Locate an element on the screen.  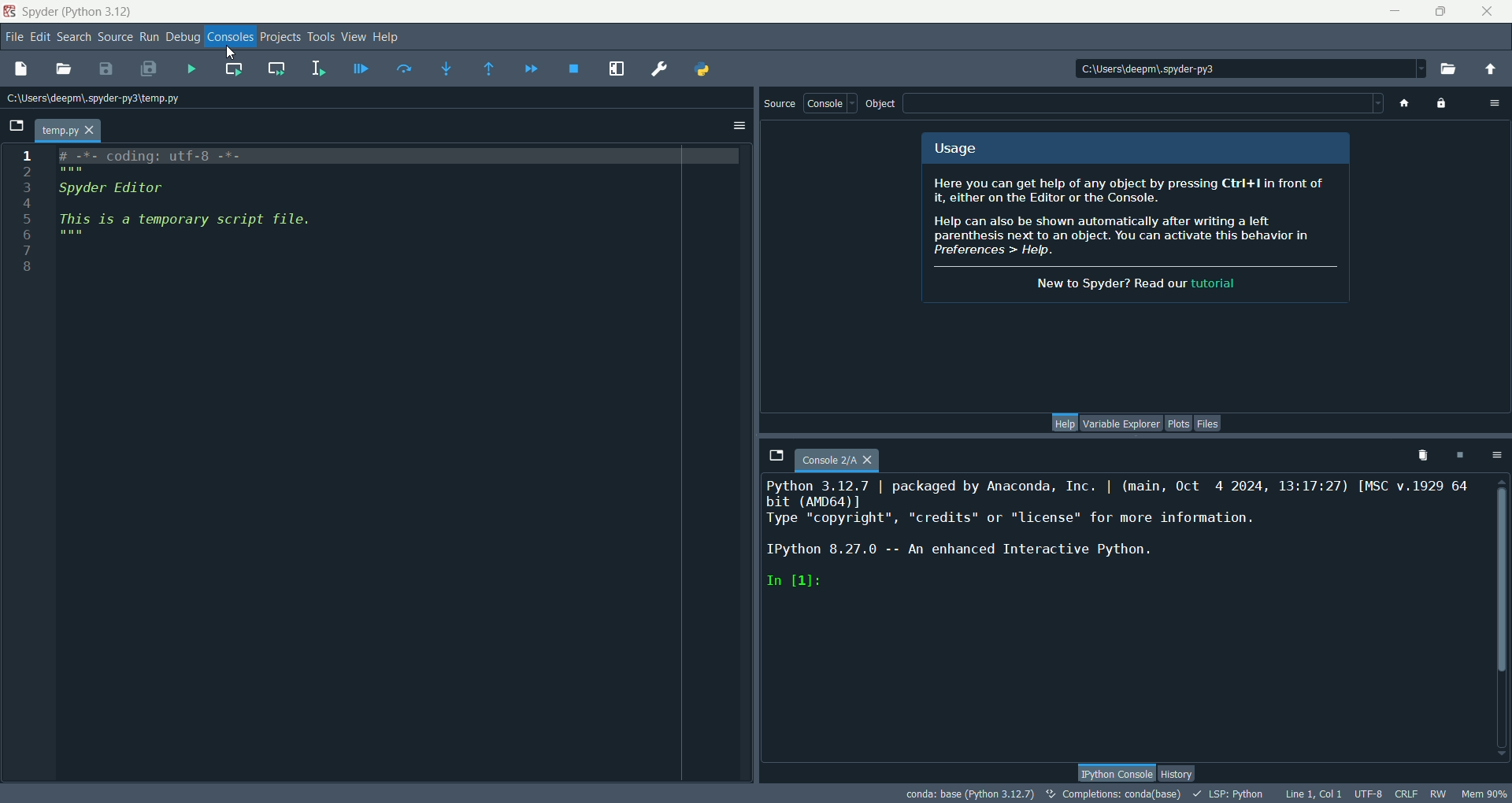
browse tabs is located at coordinates (776, 457).